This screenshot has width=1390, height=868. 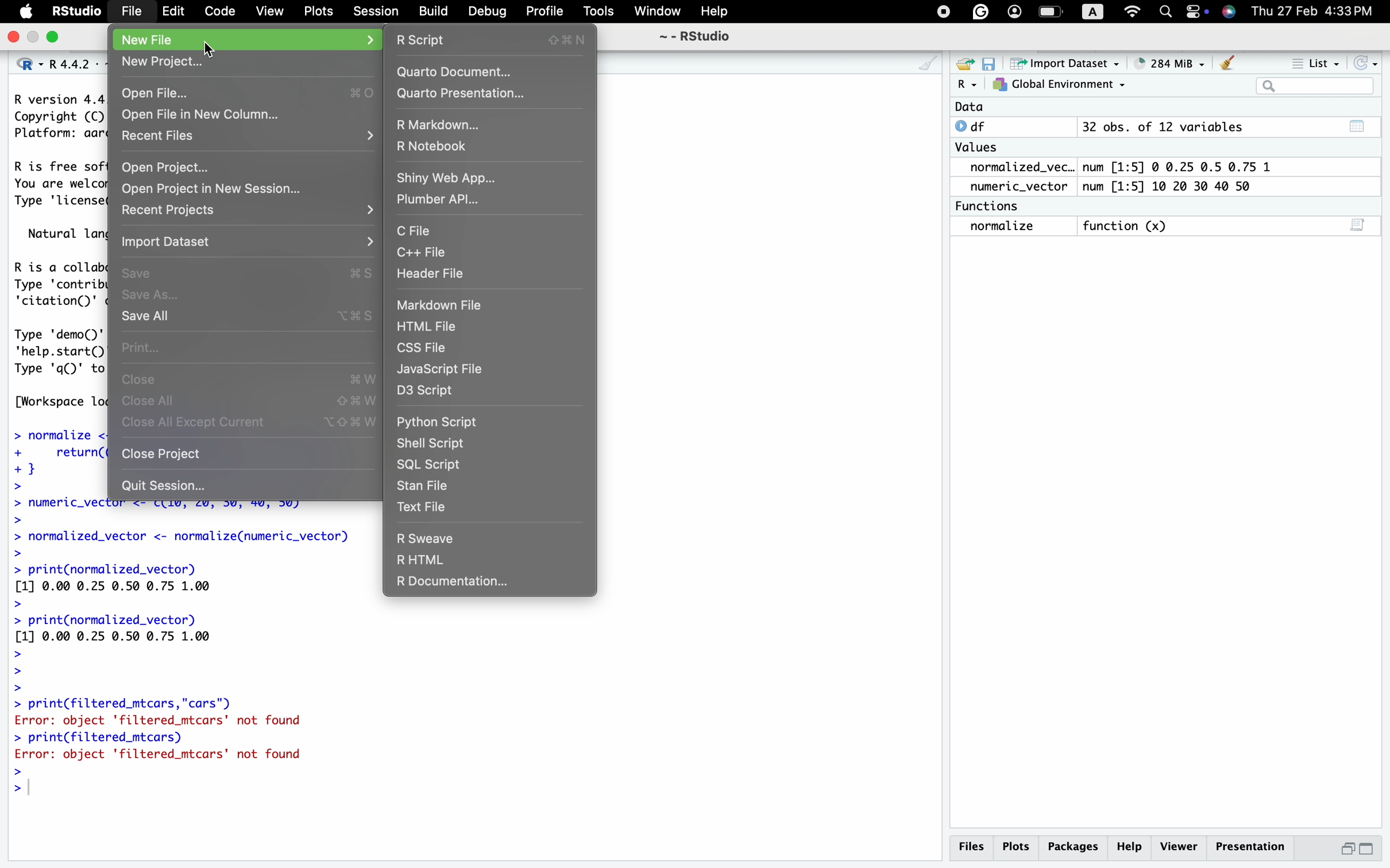 I want to click on Edit, so click(x=176, y=13).